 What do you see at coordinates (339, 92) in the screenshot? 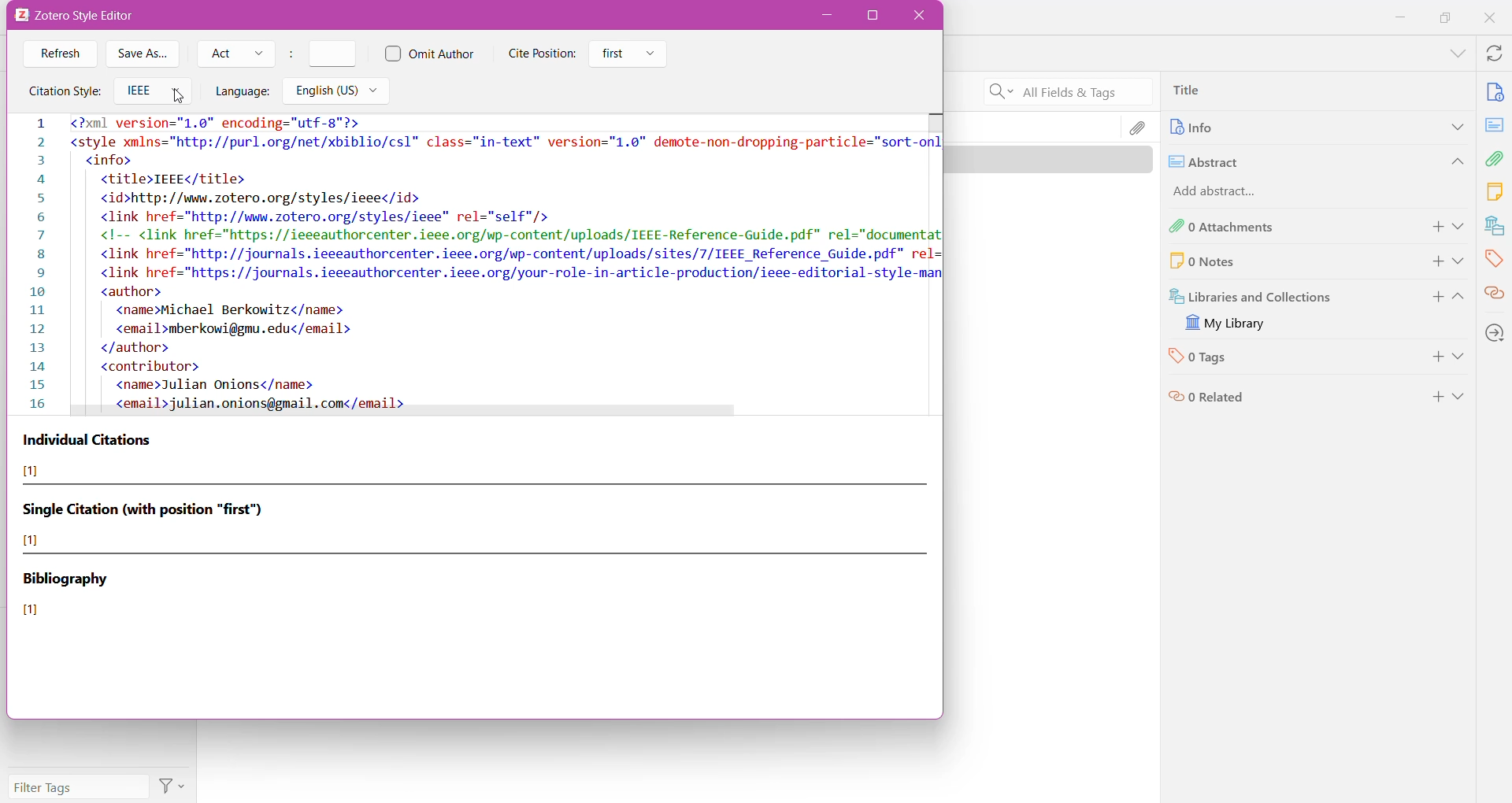
I see `Select Language` at bounding box center [339, 92].